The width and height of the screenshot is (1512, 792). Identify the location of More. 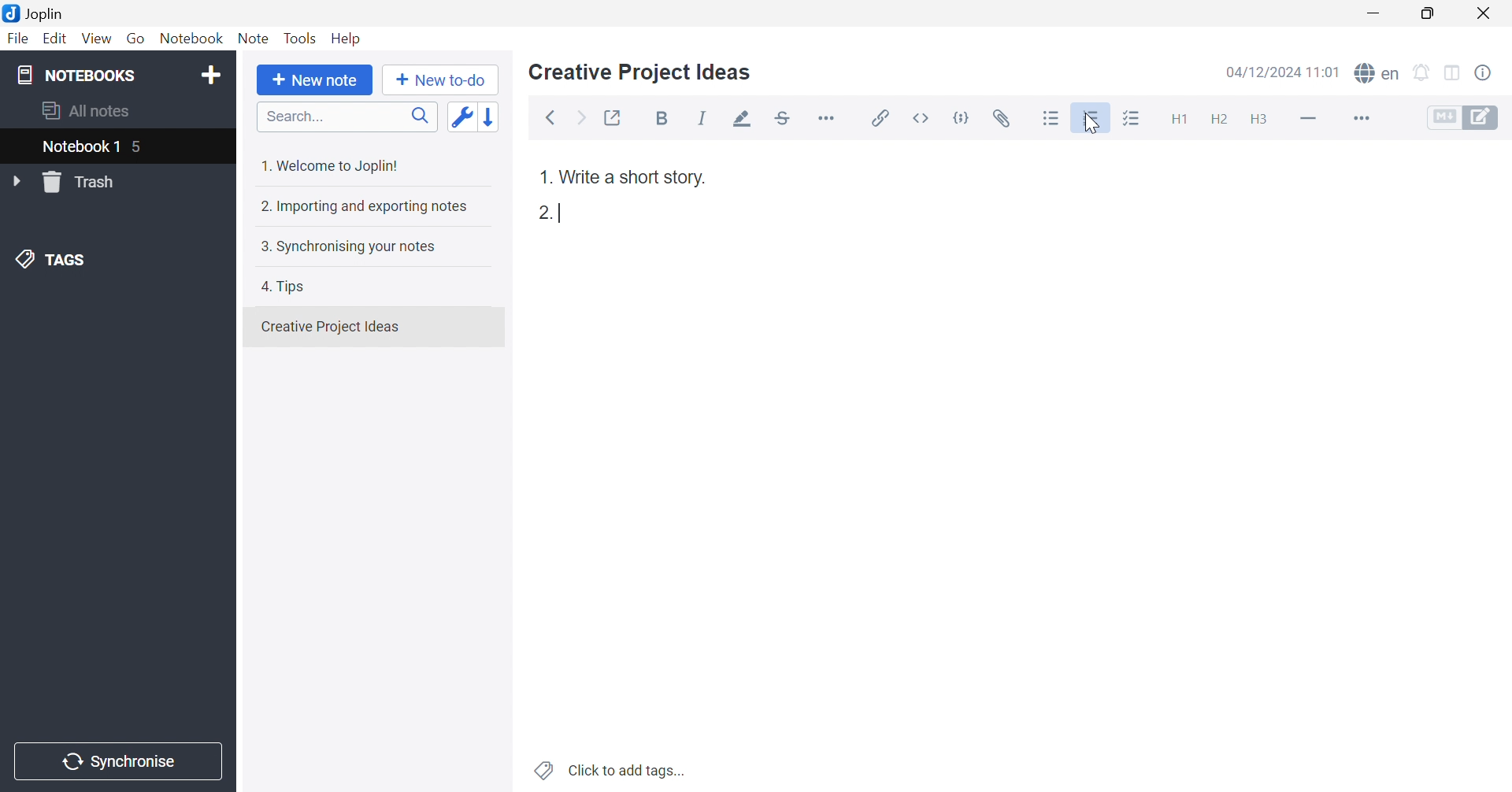
(1363, 120).